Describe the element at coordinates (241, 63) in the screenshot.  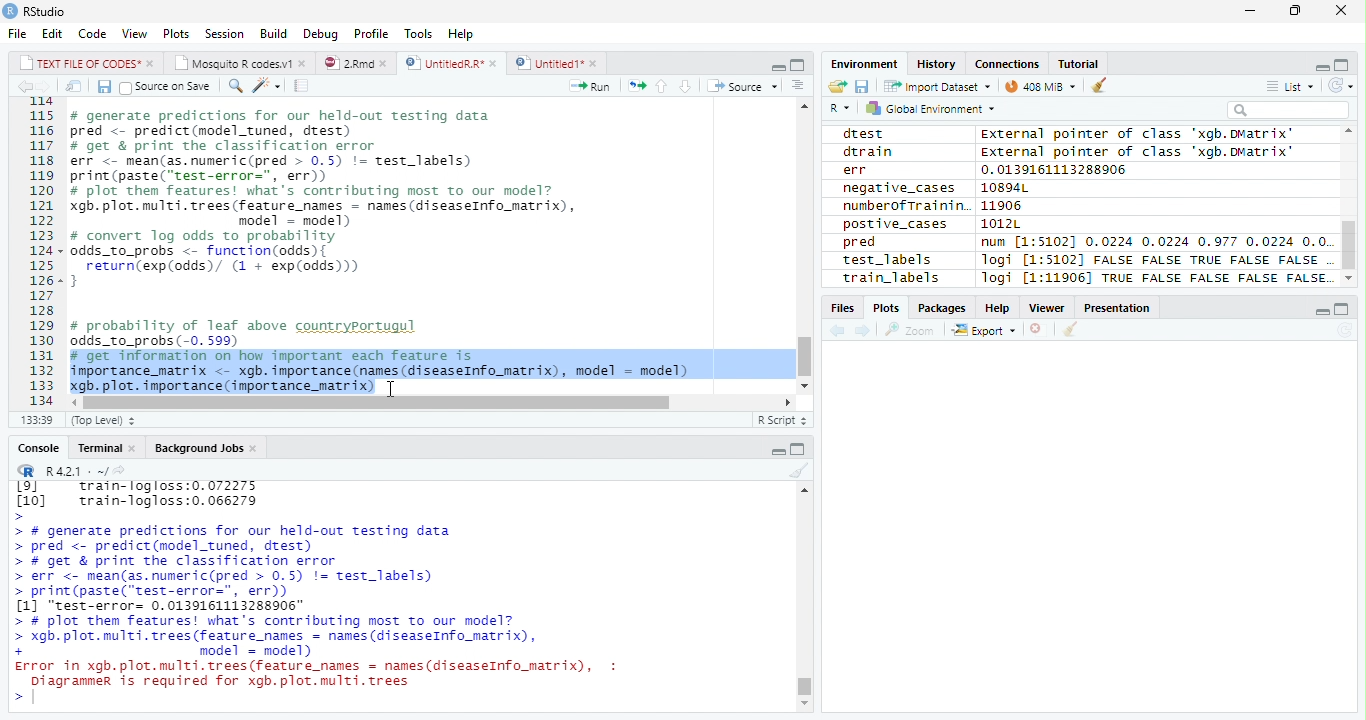
I see `Mosquito R codes1` at that location.